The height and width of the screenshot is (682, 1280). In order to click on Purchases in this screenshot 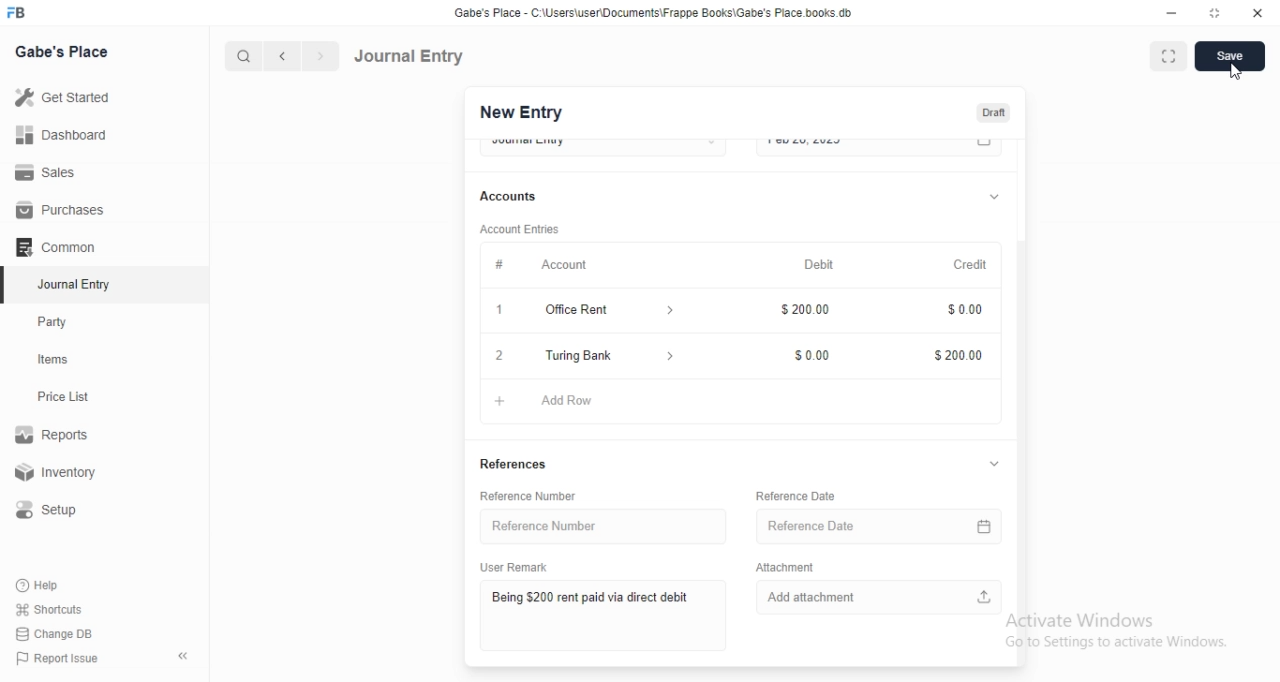, I will do `click(61, 210)`.